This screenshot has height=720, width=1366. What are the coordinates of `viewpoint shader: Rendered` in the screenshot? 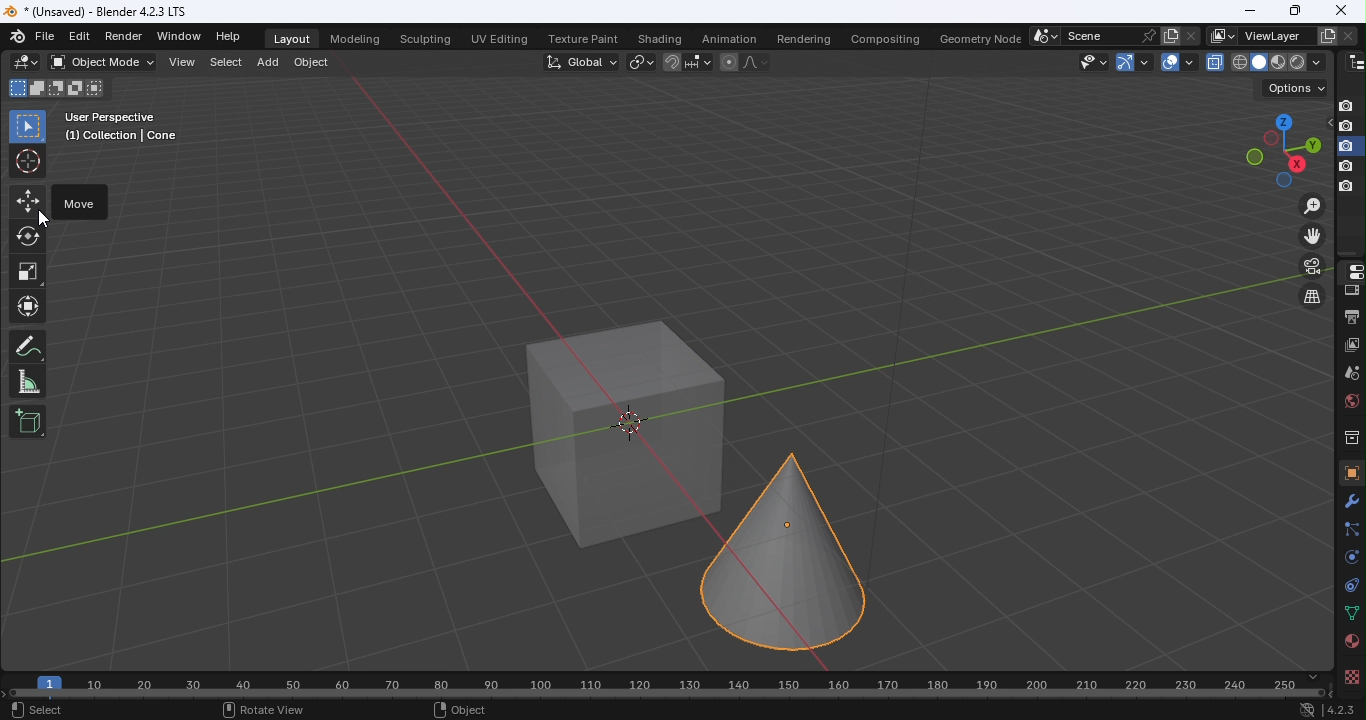 It's located at (1296, 61).